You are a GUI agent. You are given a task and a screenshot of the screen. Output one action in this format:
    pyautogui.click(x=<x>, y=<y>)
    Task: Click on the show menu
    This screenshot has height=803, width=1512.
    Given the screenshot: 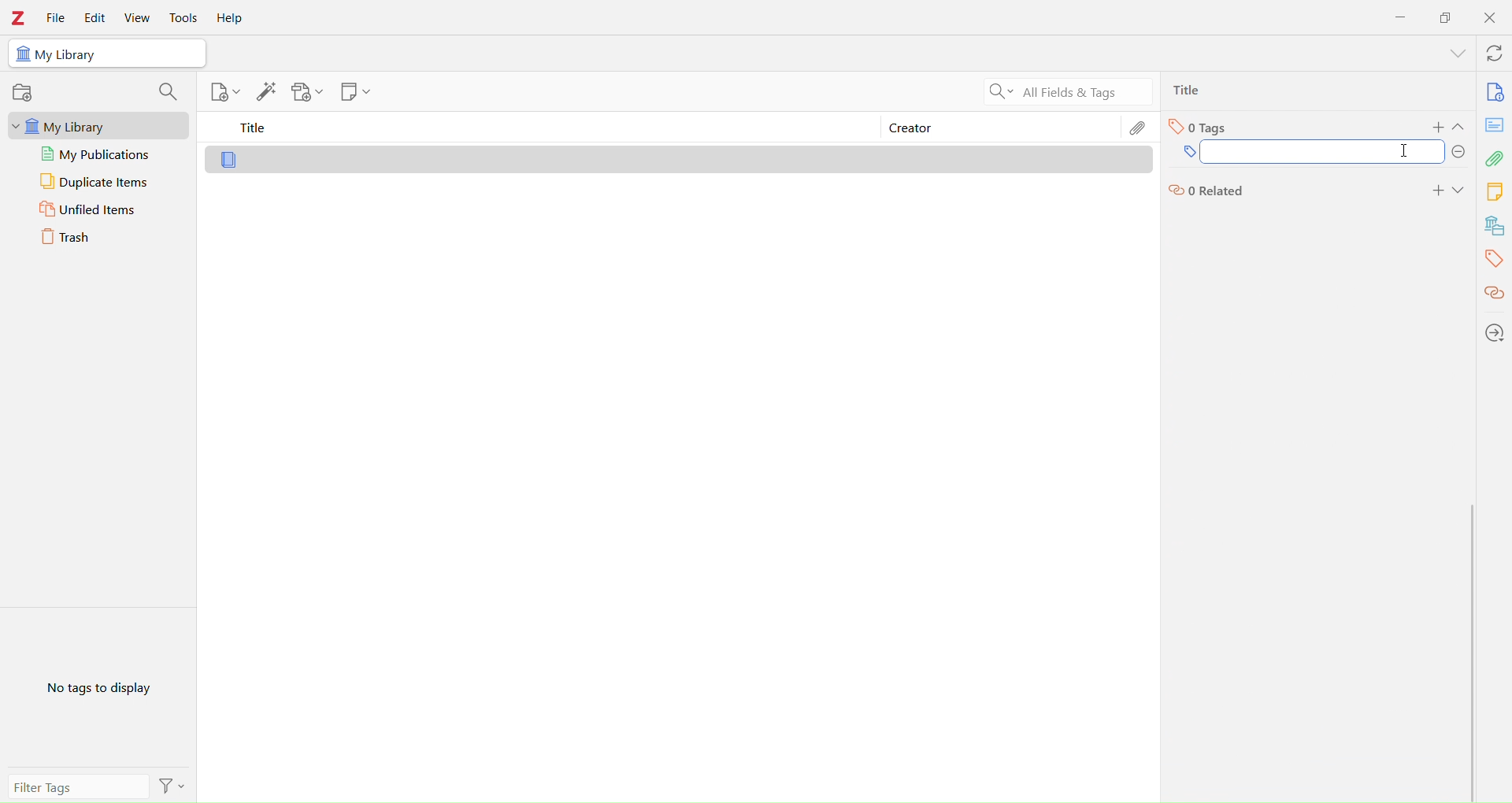 What is the action you would take?
    pyautogui.click(x=1443, y=58)
    